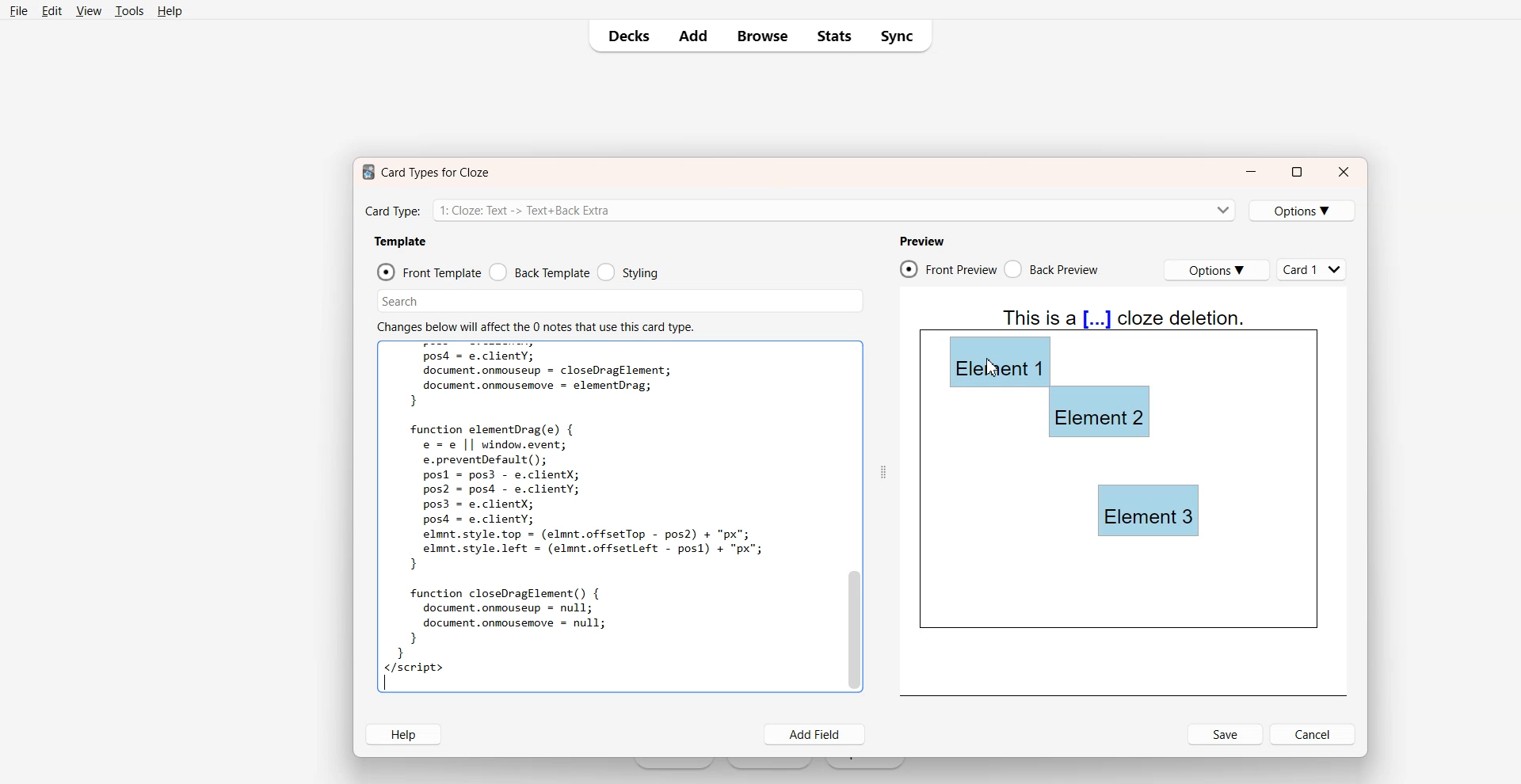 Image resolution: width=1521 pixels, height=784 pixels. Describe the element at coordinates (1296, 172) in the screenshot. I see `Maximize` at that location.